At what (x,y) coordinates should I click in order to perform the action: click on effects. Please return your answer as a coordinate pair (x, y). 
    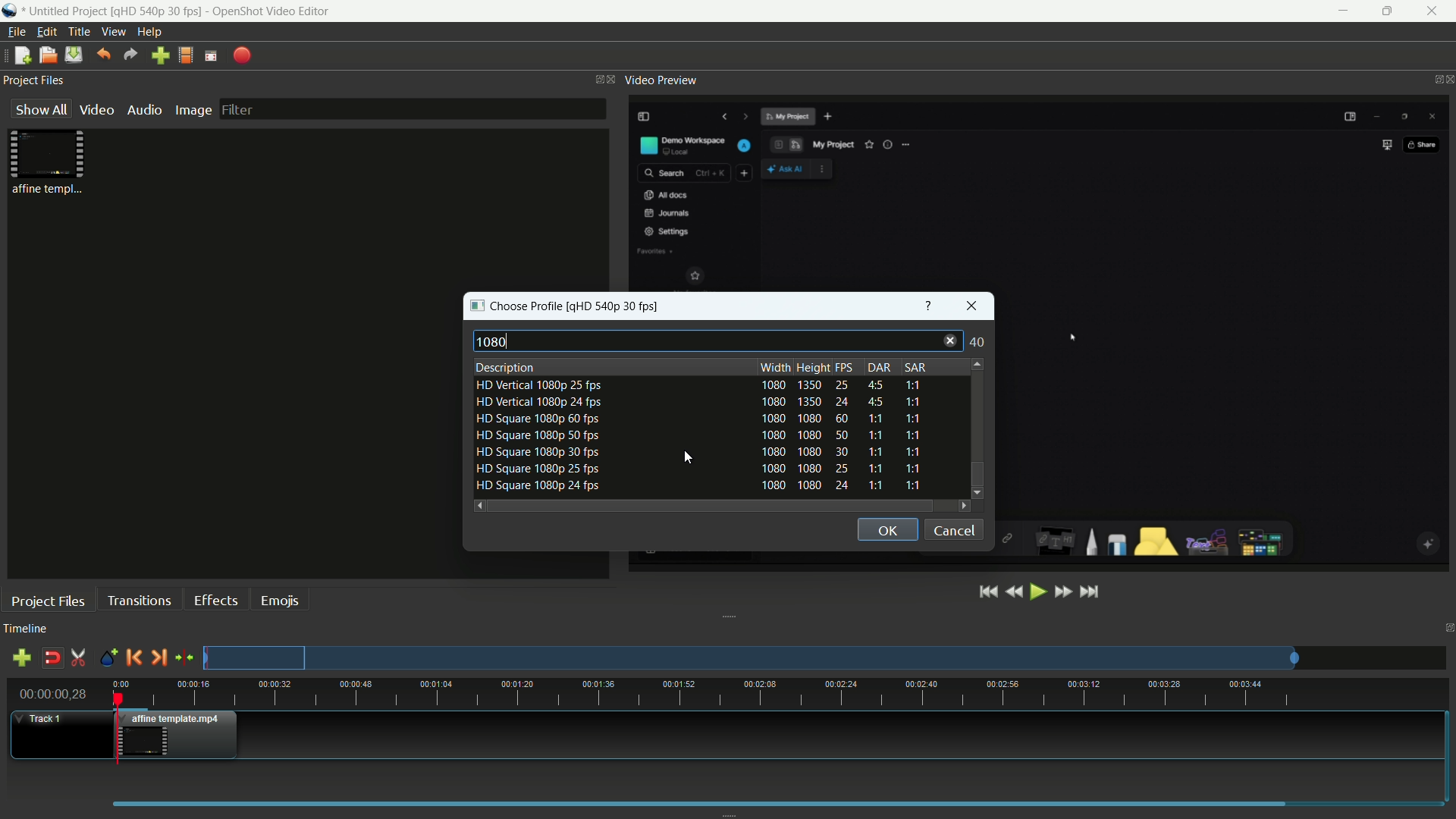
    Looking at the image, I should click on (216, 601).